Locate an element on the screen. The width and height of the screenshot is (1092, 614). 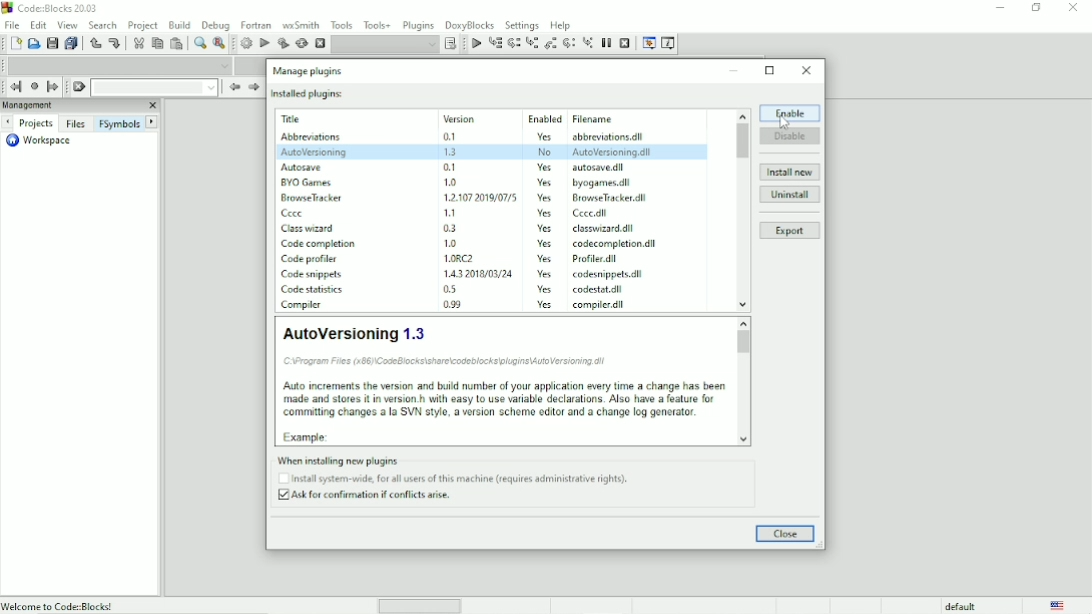
Workspace is located at coordinates (41, 141).